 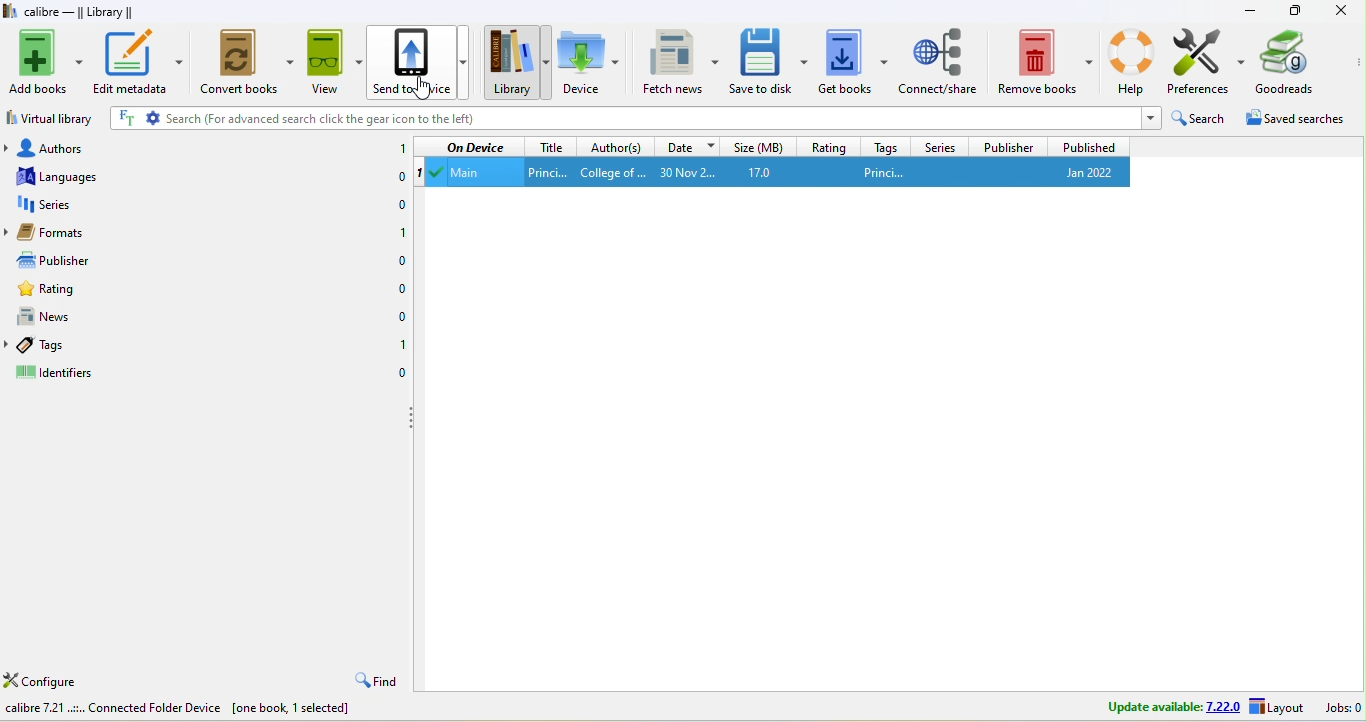 I want to click on 0, so click(x=390, y=175).